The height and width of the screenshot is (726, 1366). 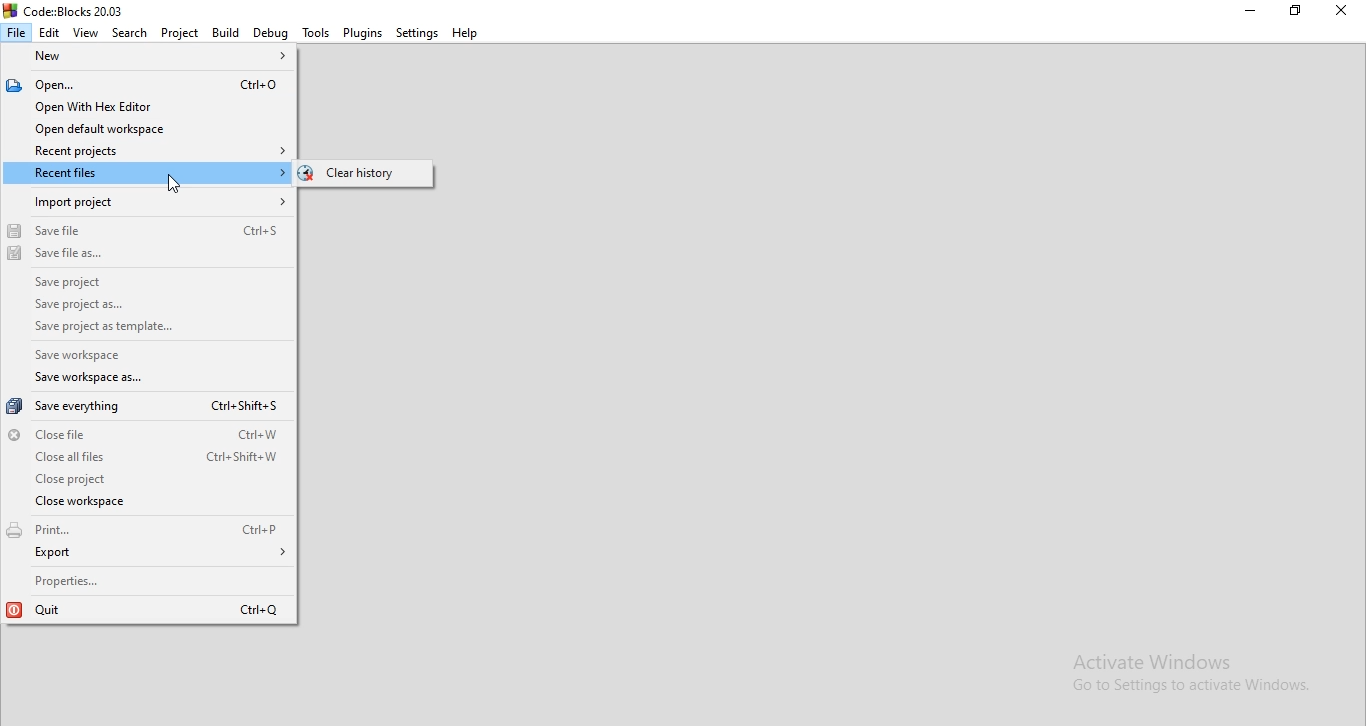 What do you see at coordinates (151, 58) in the screenshot?
I see `New` at bounding box center [151, 58].